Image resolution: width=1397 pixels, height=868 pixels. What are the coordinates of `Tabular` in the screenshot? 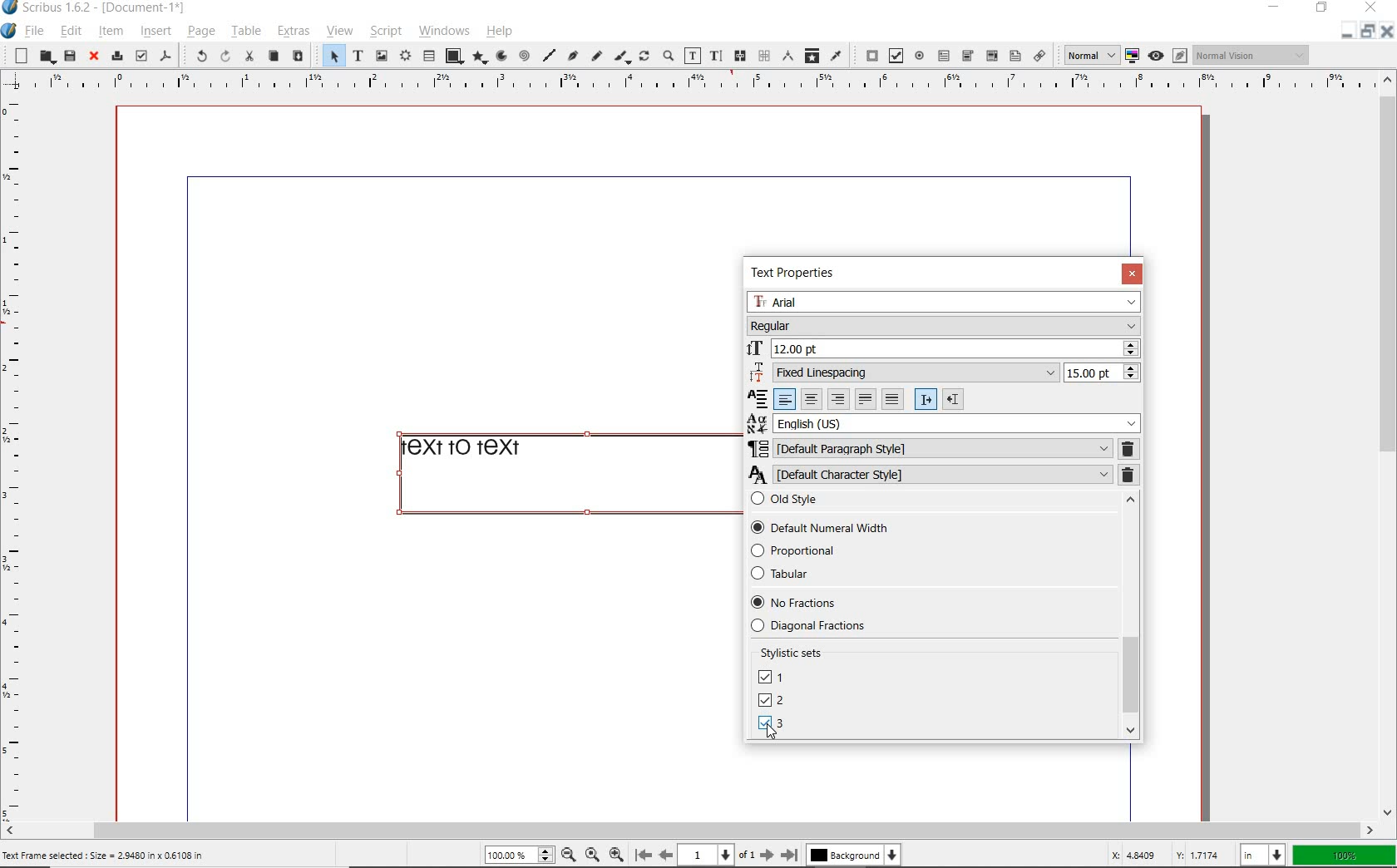 It's located at (802, 574).